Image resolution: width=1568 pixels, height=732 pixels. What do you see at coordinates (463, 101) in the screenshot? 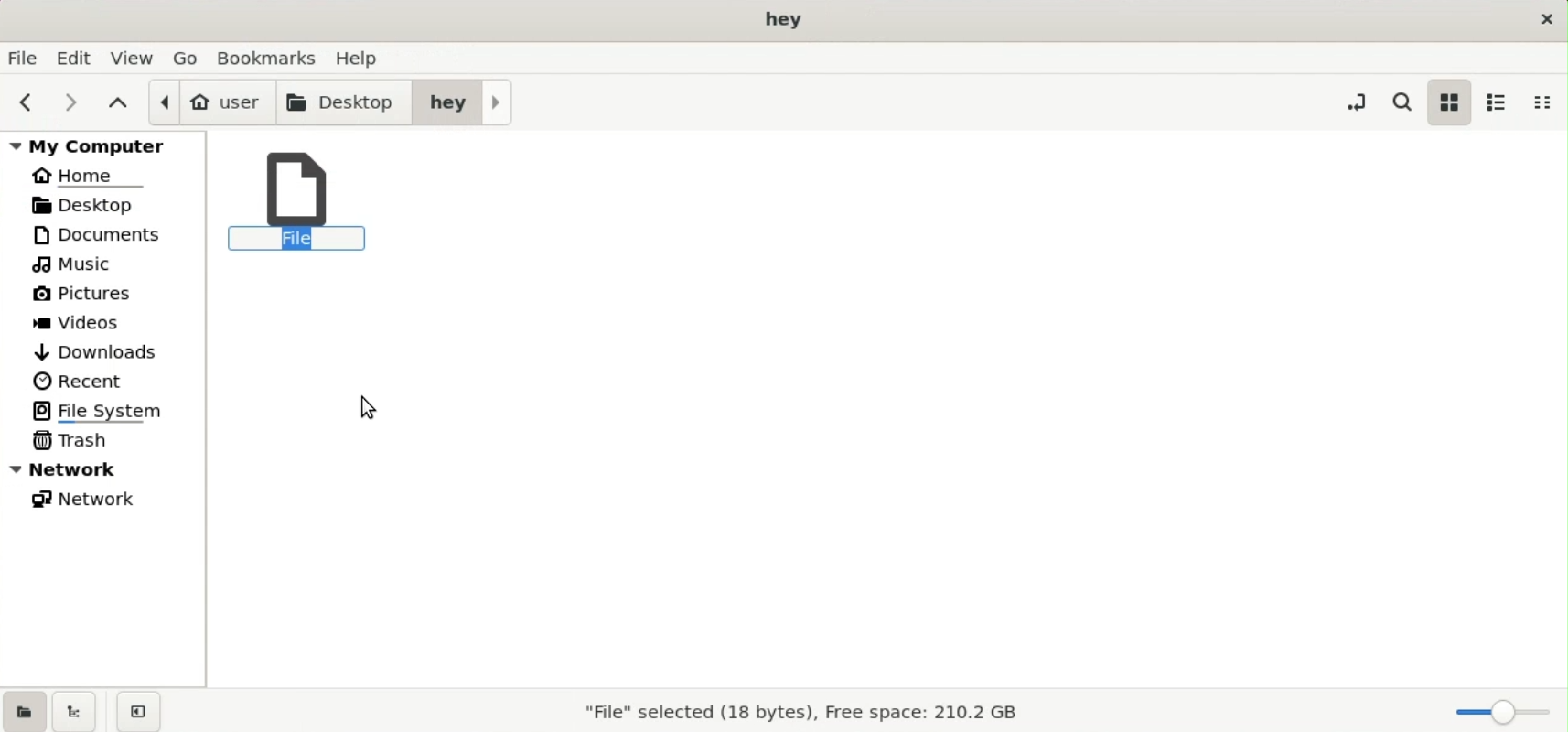
I see `hey` at bounding box center [463, 101].